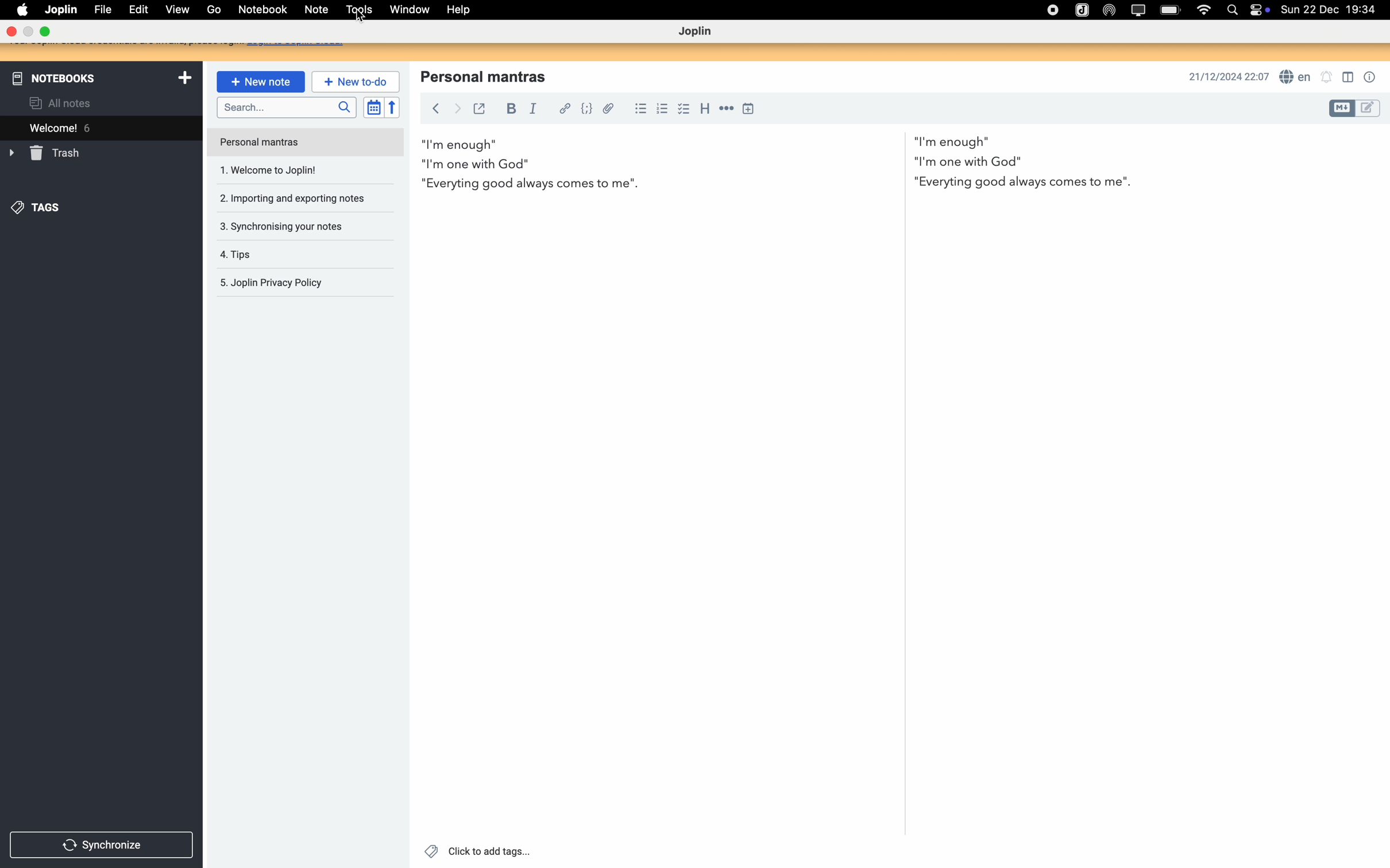  What do you see at coordinates (307, 141) in the screenshot?
I see `personal mantras note` at bounding box center [307, 141].